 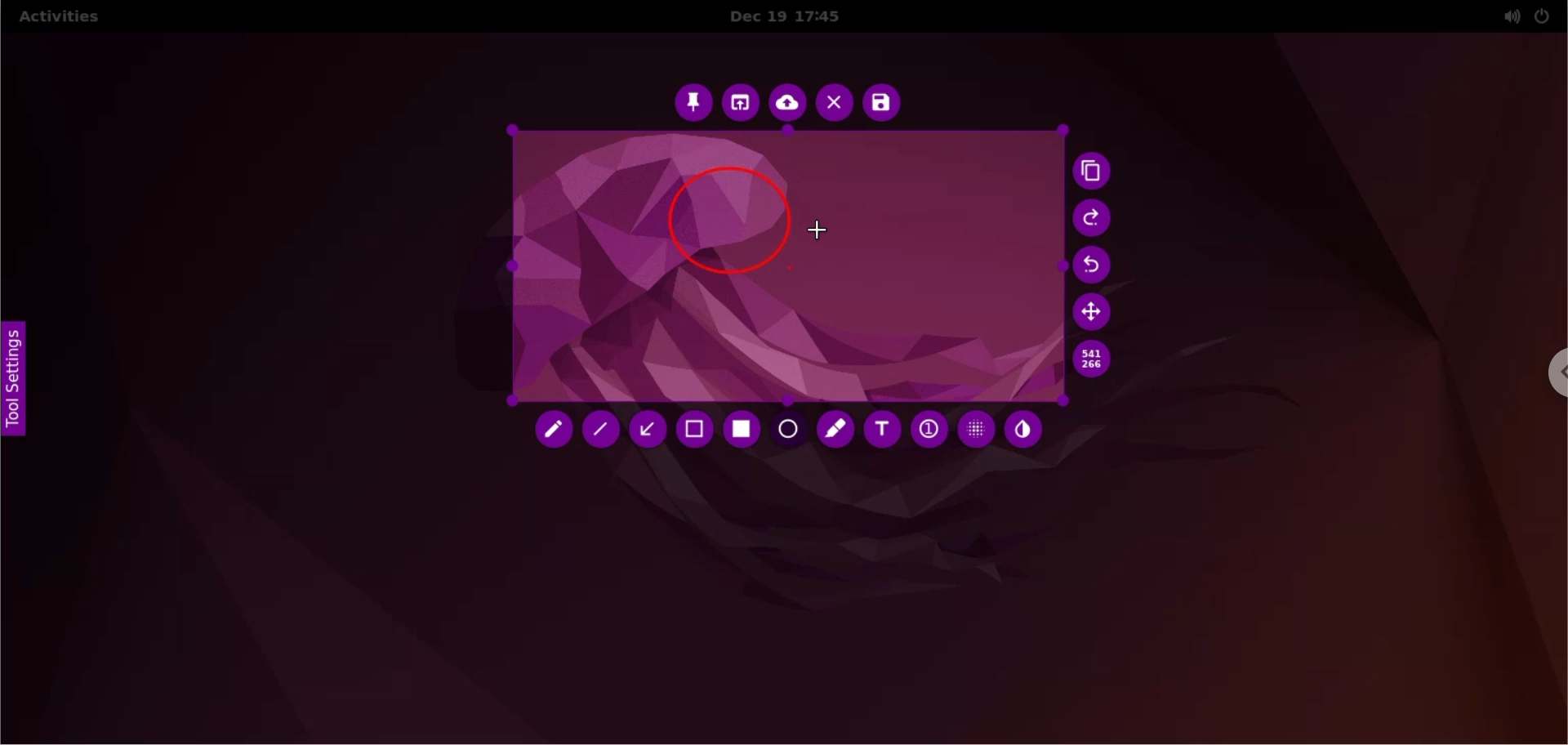 I want to click on upload , so click(x=788, y=105).